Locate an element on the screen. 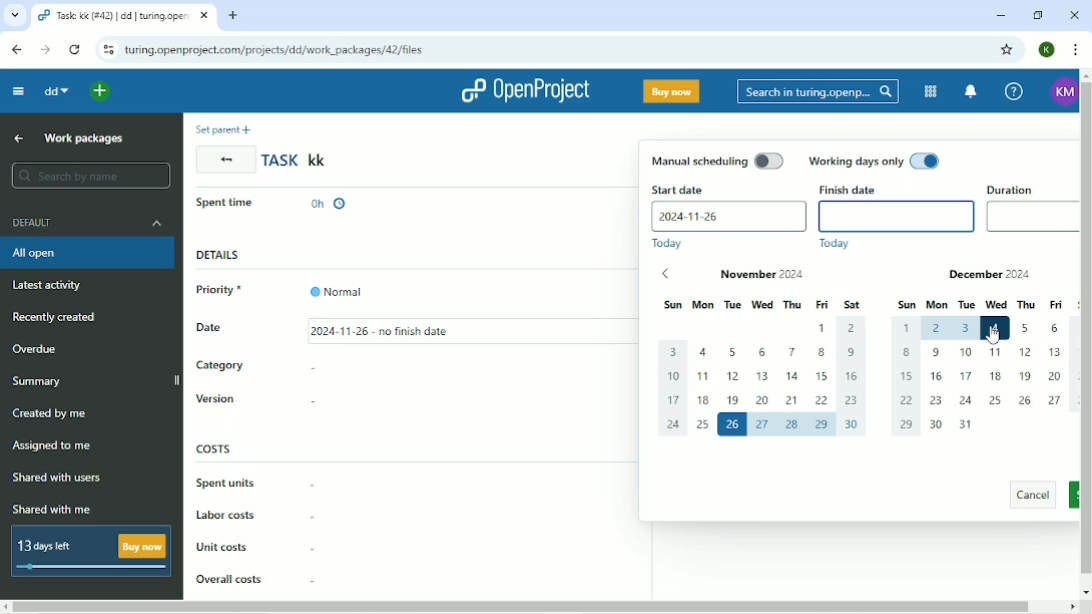 This screenshot has width=1092, height=614. Overdue is located at coordinates (40, 349).